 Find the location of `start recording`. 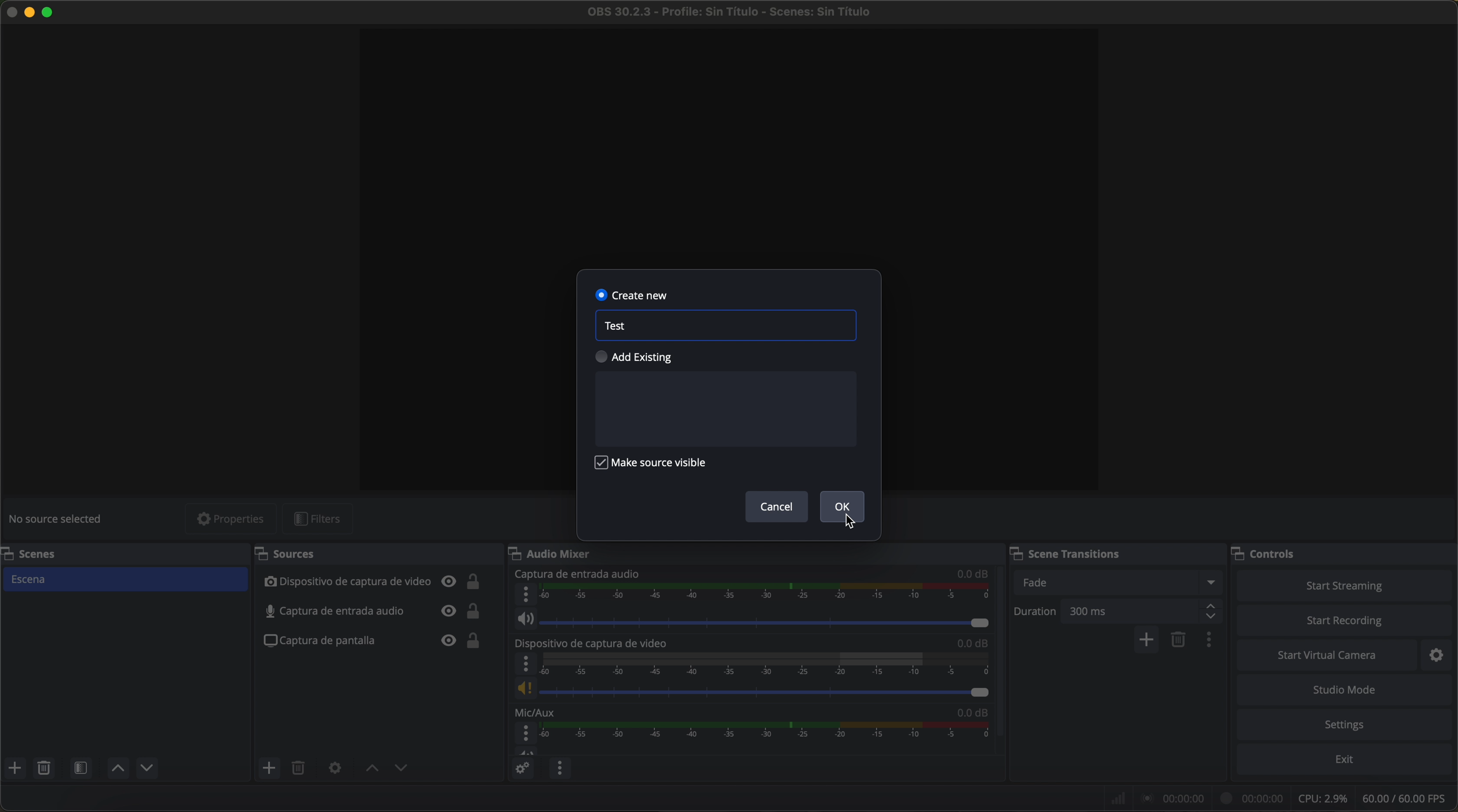

start recording is located at coordinates (1346, 621).